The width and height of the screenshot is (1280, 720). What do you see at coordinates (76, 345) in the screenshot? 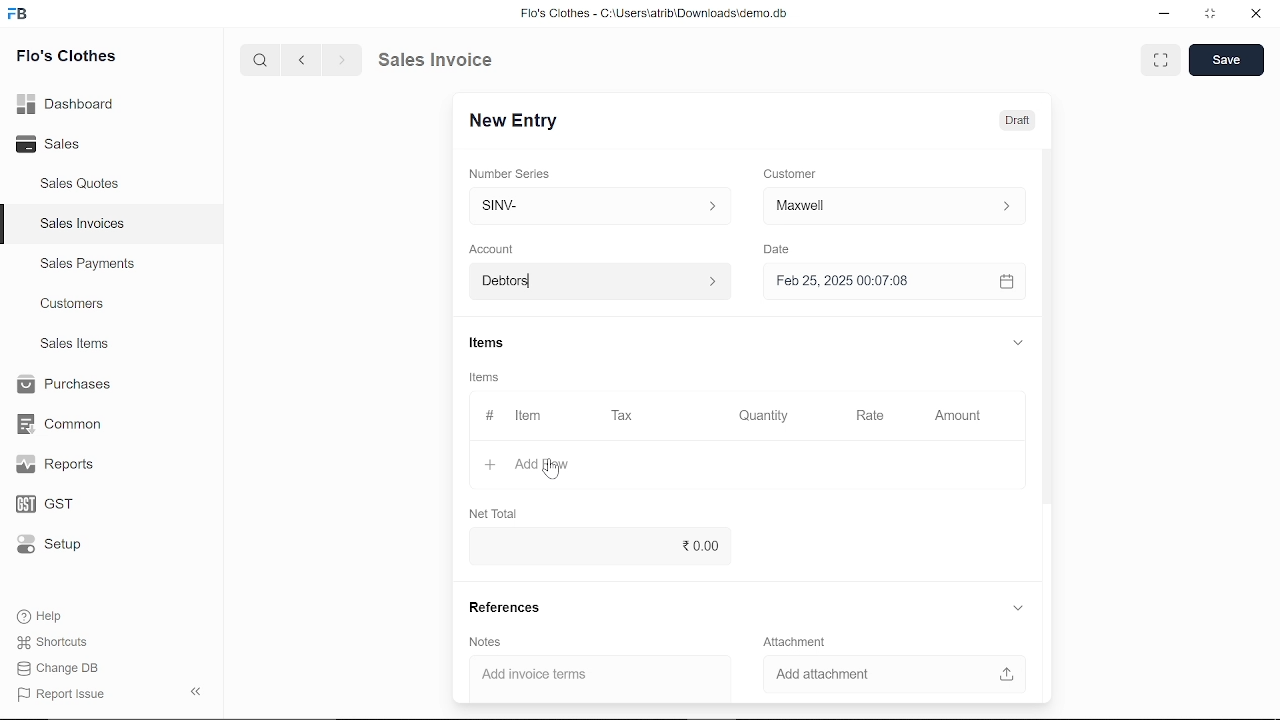
I see `Sales Items.` at bounding box center [76, 345].